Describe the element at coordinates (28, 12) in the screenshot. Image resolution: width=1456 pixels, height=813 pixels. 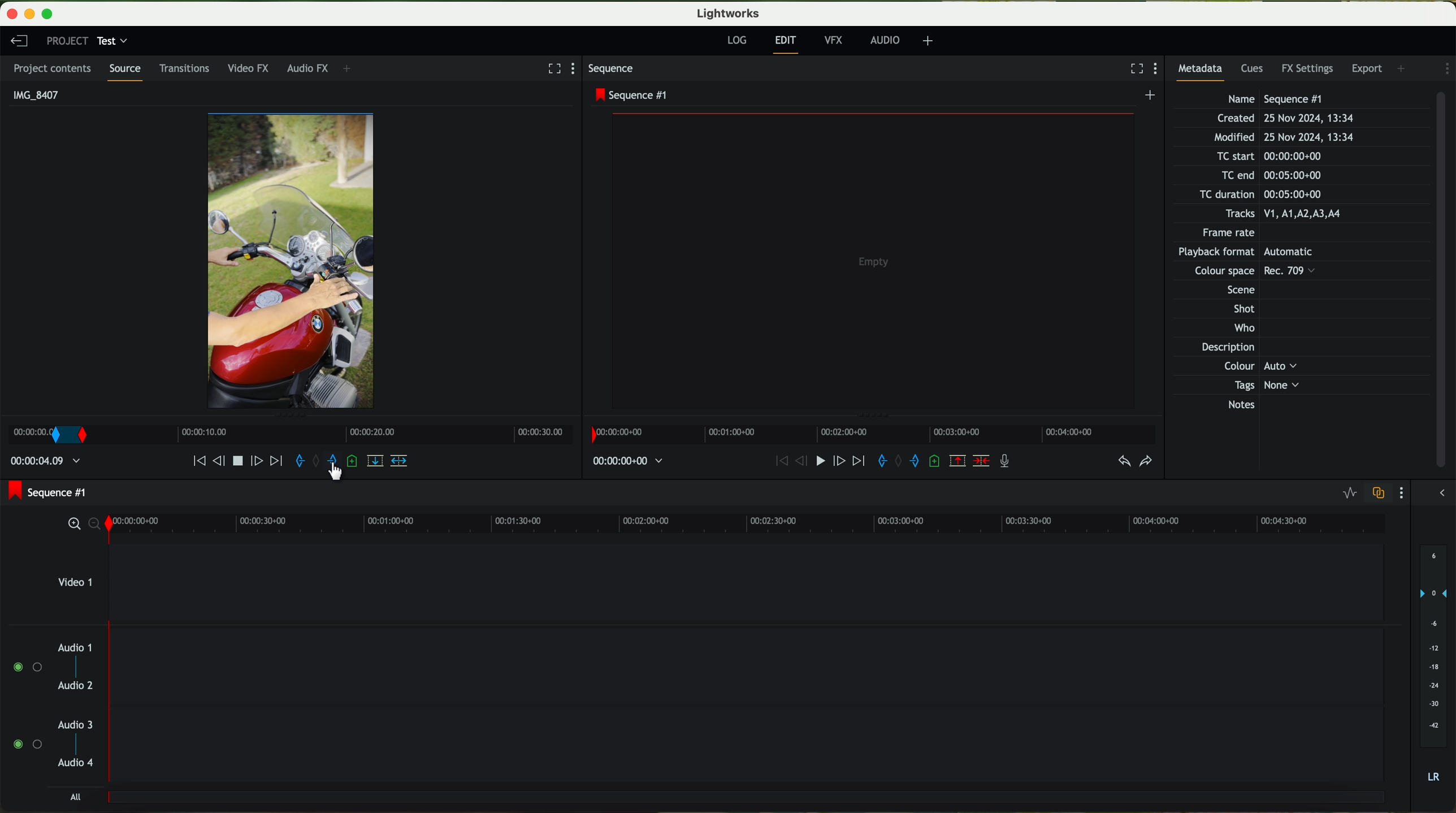
I see `minimize` at that location.